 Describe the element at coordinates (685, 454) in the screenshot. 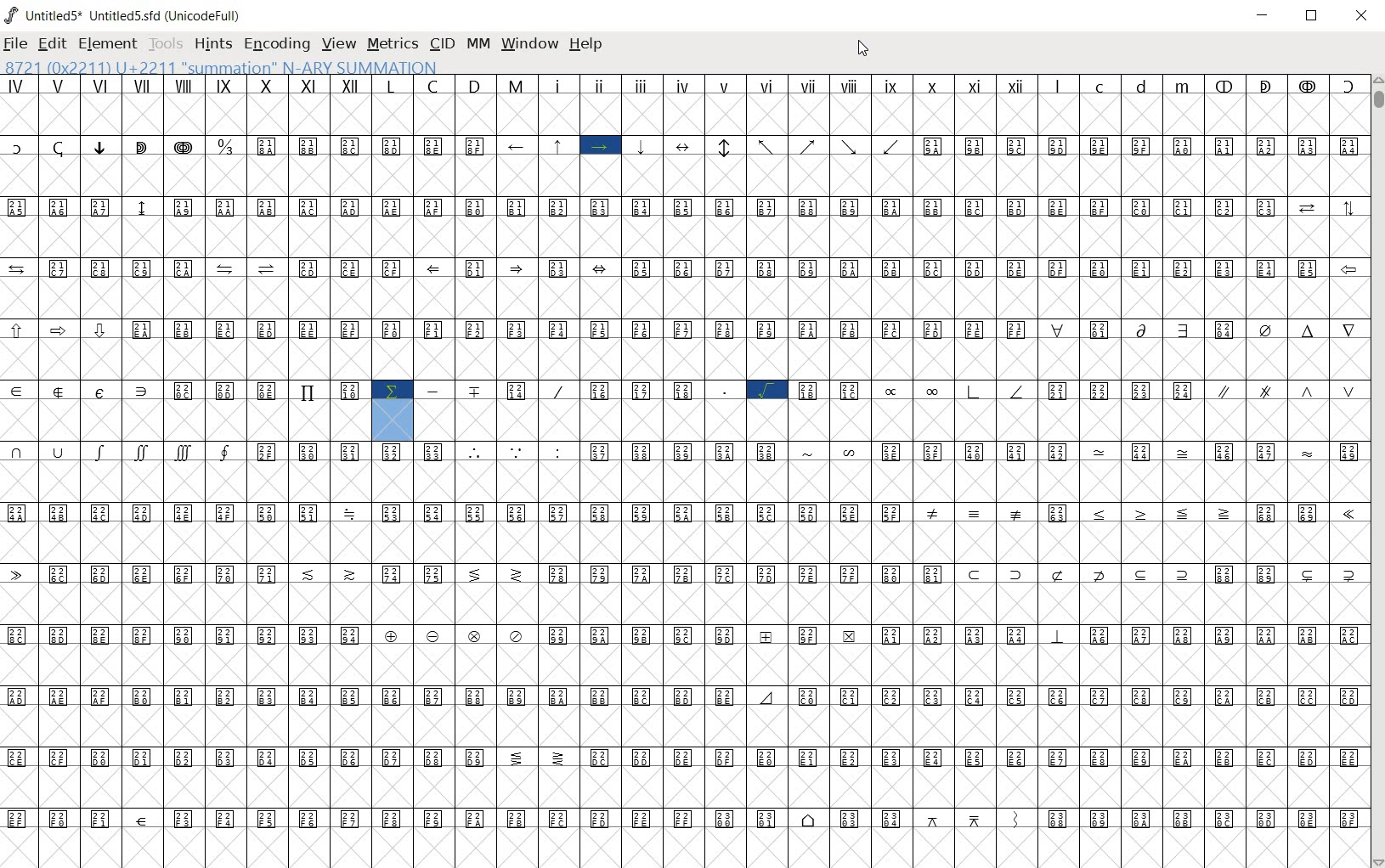

I see `special symbols` at that location.